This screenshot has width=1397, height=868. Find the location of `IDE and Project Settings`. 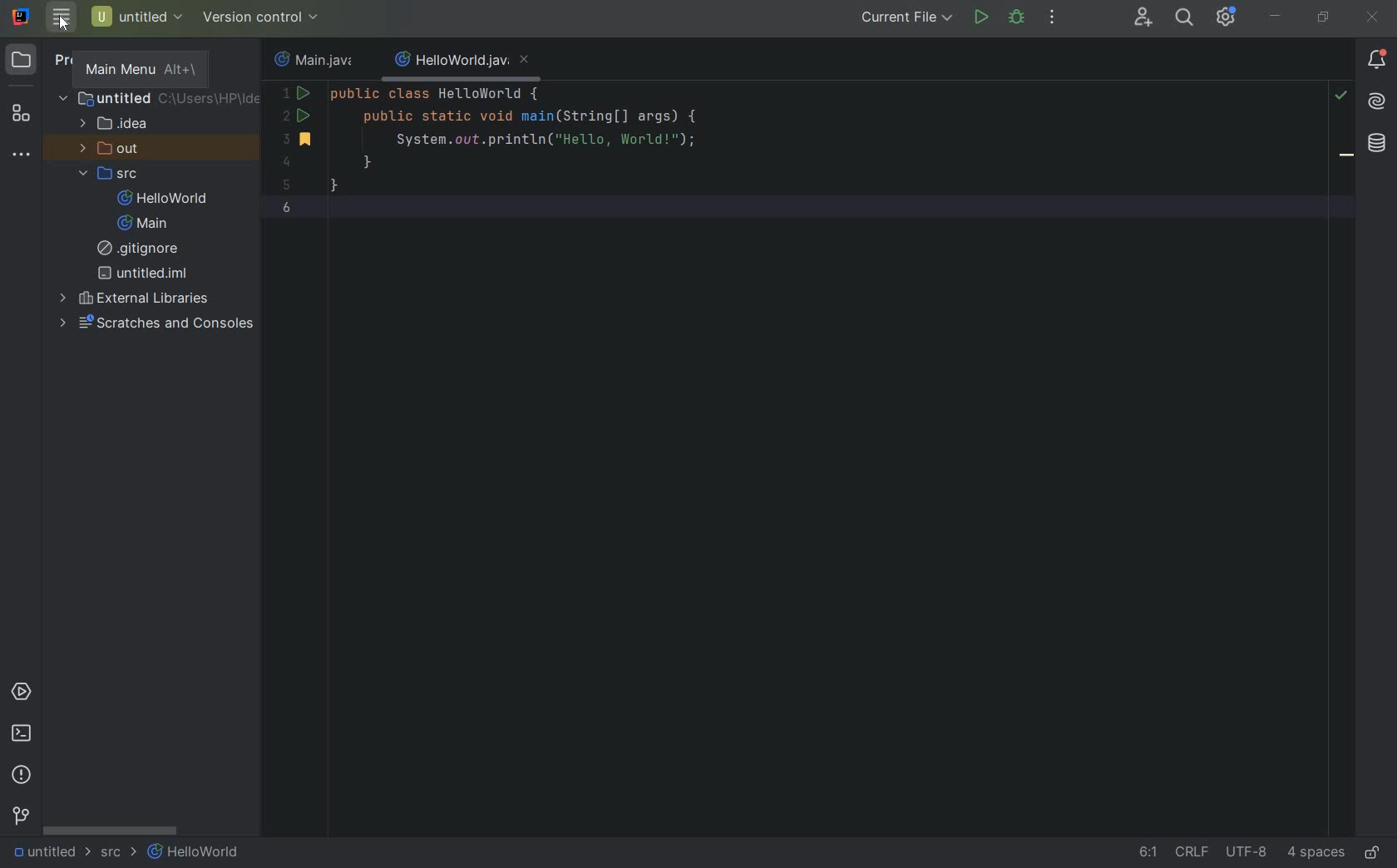

IDE and Project Settings is located at coordinates (1228, 17).